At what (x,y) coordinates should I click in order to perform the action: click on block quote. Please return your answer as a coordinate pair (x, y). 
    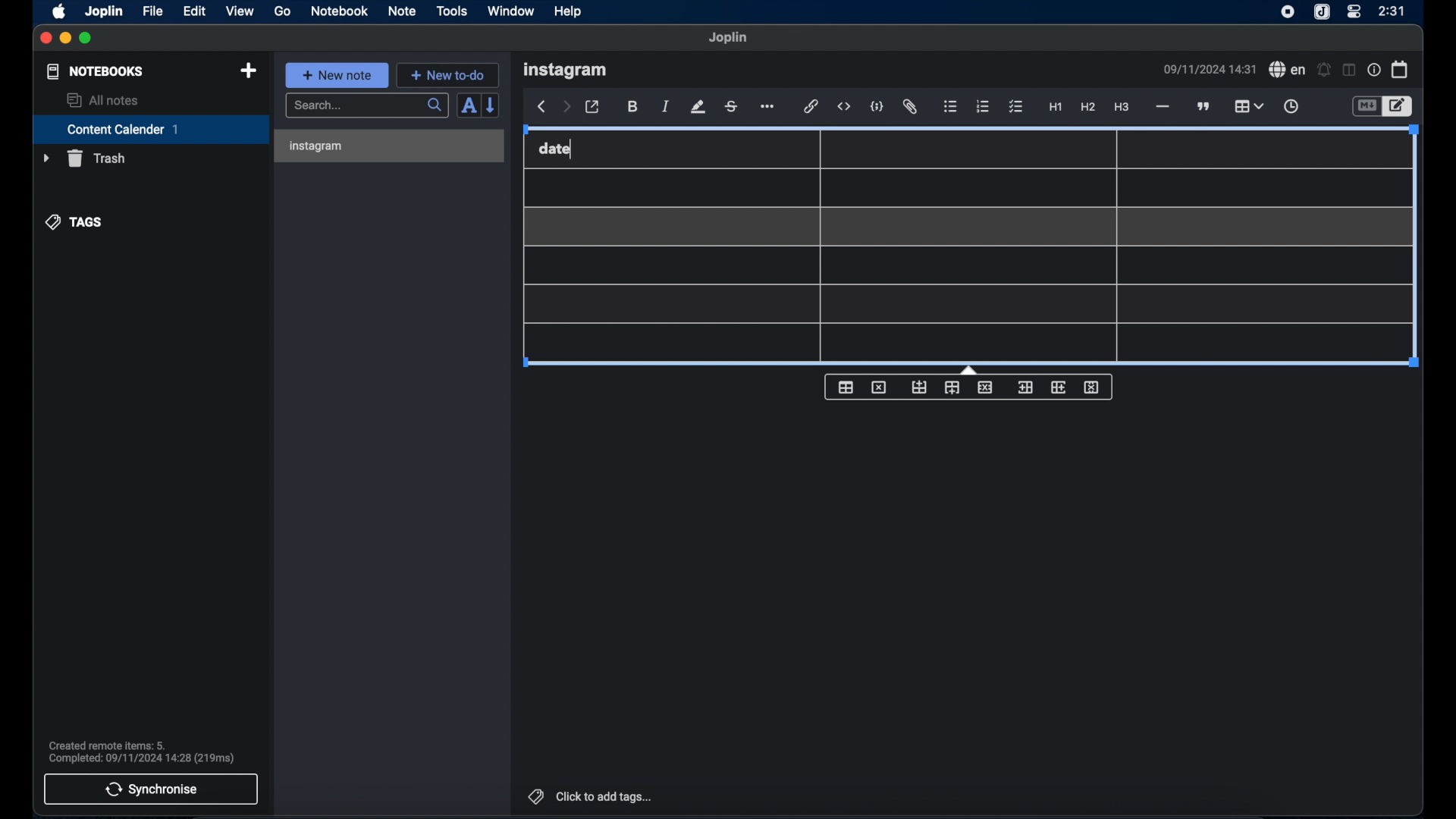
    Looking at the image, I should click on (1203, 106).